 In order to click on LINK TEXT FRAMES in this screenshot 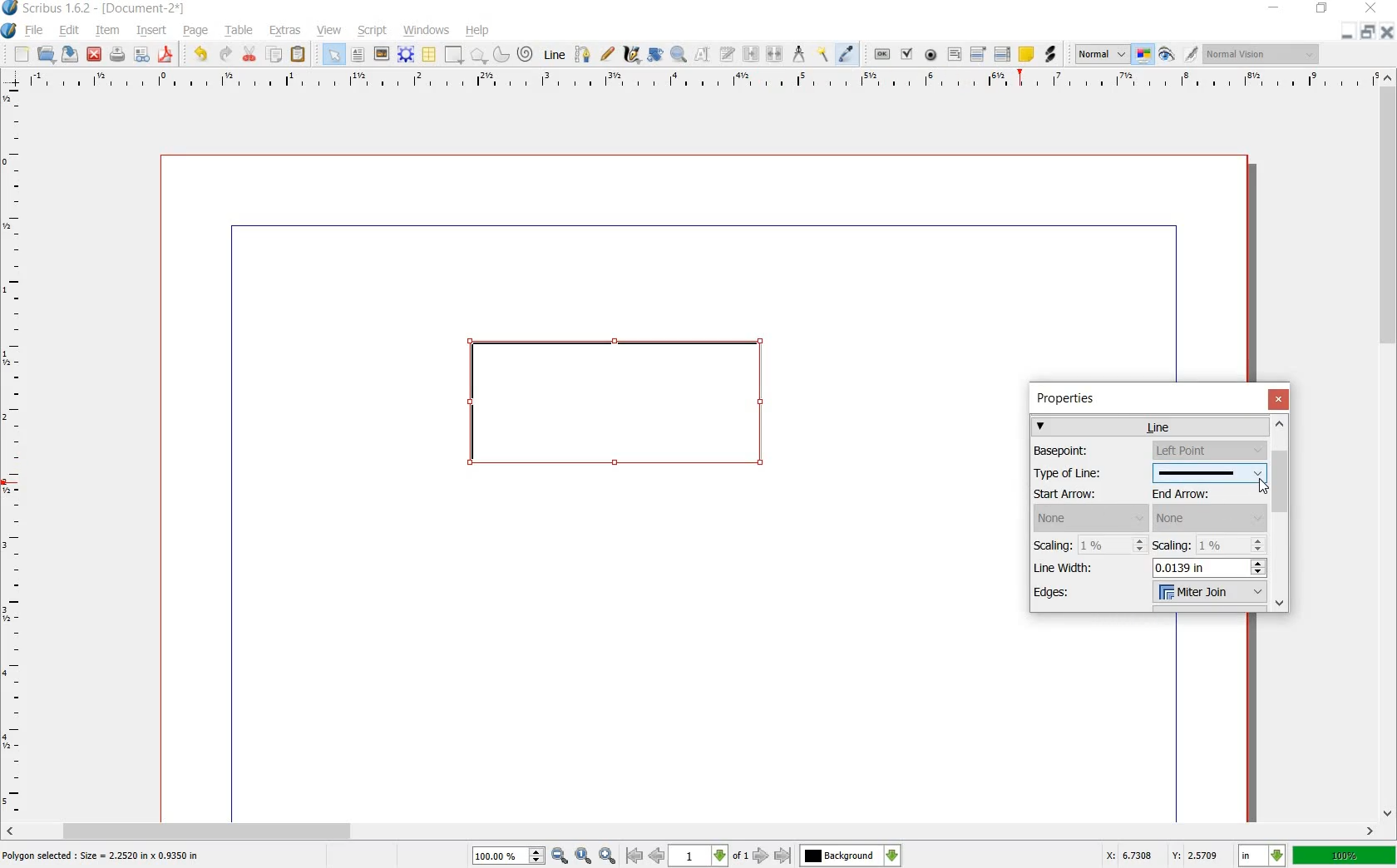, I will do `click(751, 55)`.